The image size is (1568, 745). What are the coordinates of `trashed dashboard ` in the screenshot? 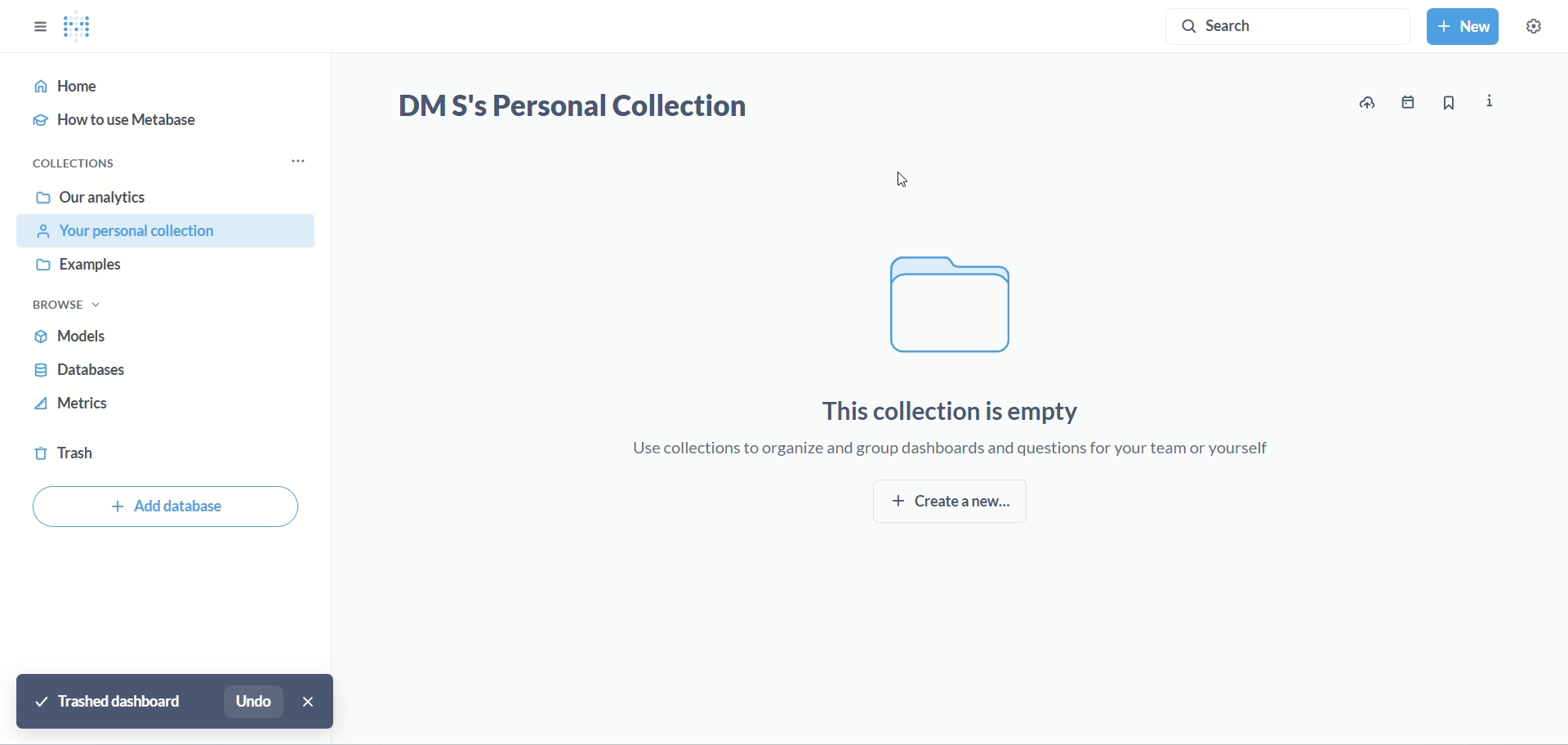 It's located at (109, 700).